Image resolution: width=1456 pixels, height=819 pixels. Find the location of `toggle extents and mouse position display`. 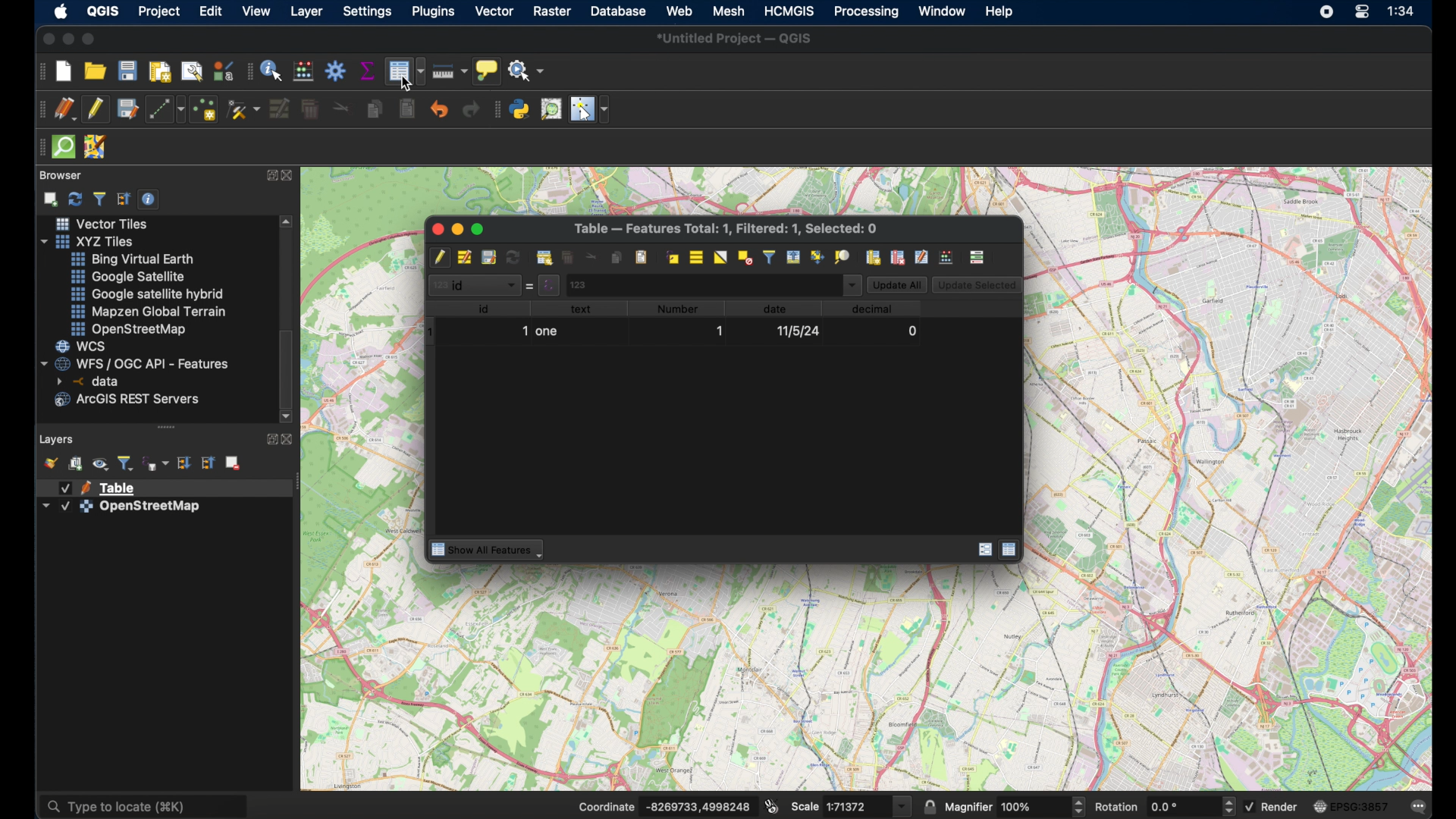

toggle extents and mouse position display is located at coordinates (773, 805).